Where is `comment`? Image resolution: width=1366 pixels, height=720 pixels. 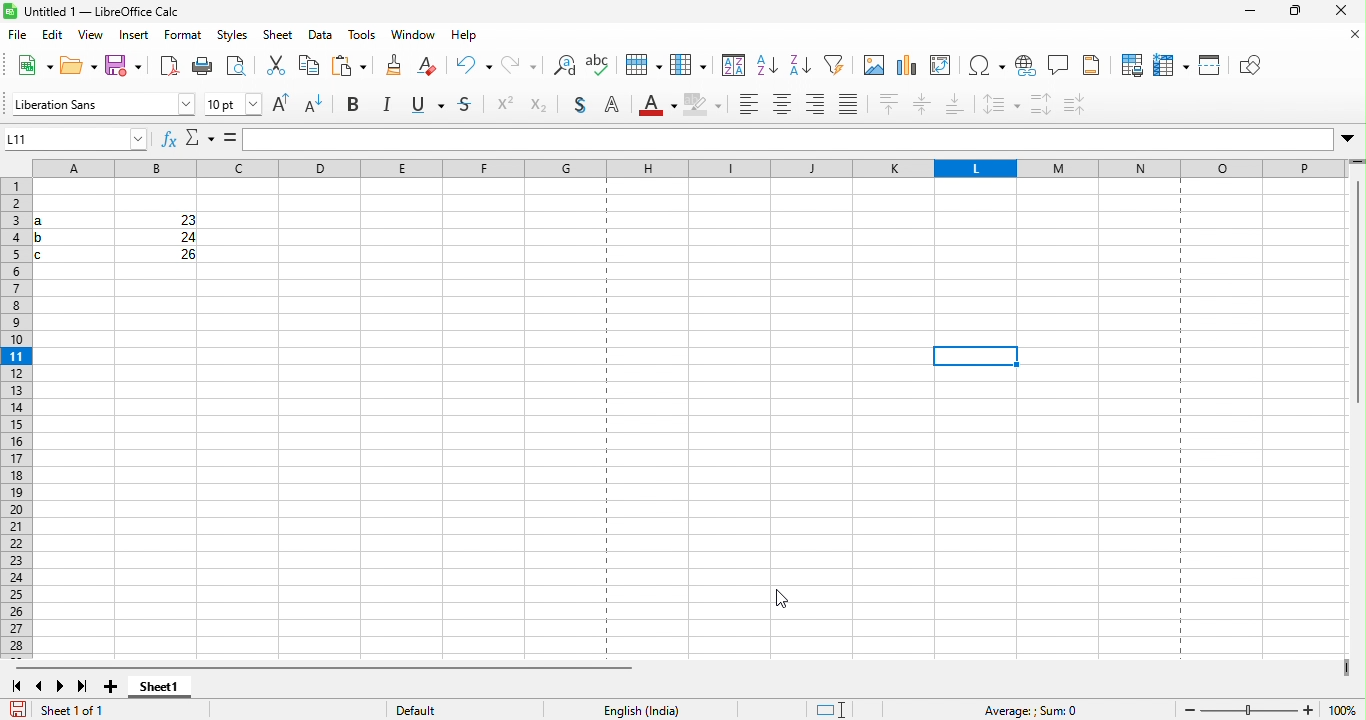
comment is located at coordinates (1060, 67).